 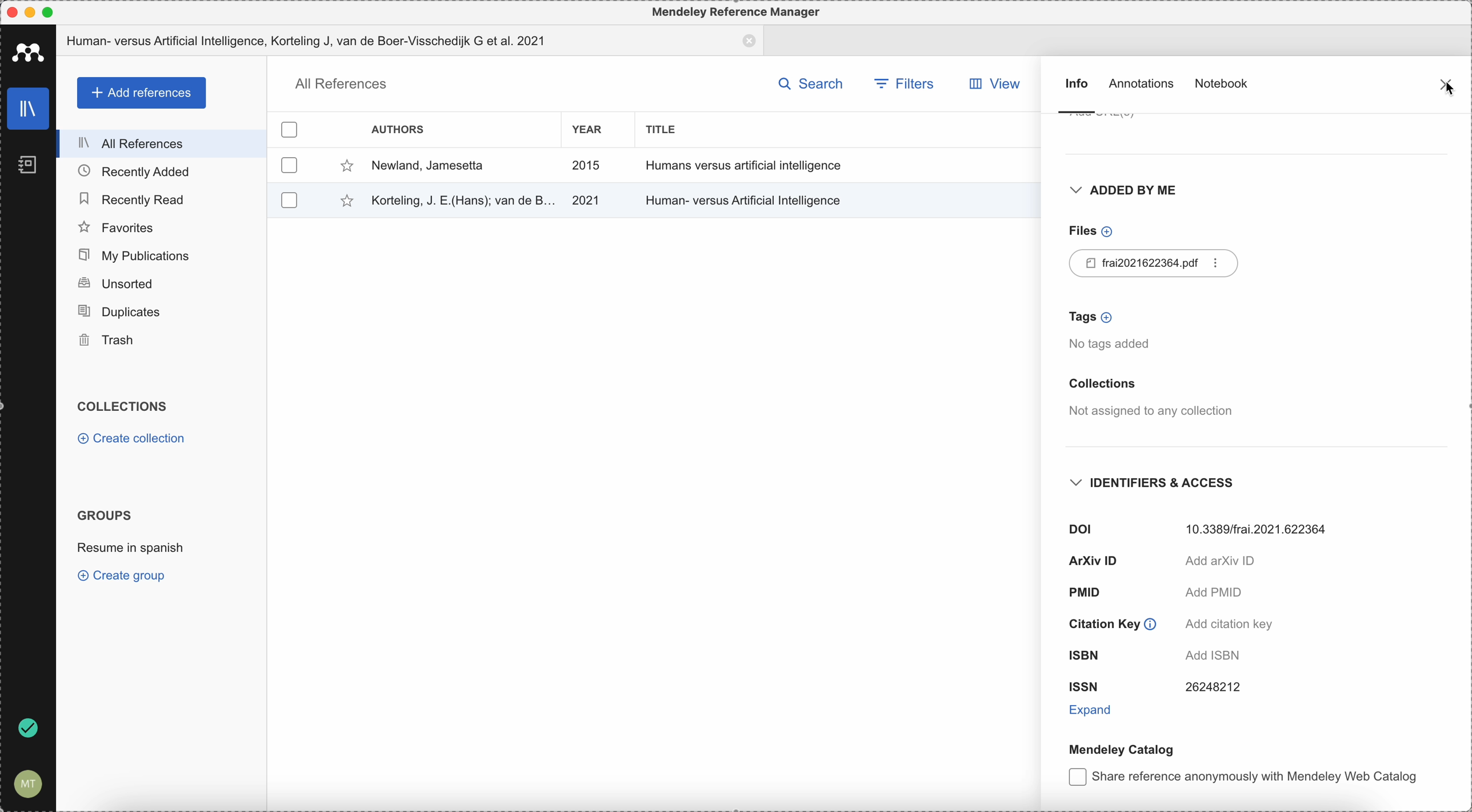 What do you see at coordinates (1154, 687) in the screenshot?
I see `ISSN 26248212` at bounding box center [1154, 687].